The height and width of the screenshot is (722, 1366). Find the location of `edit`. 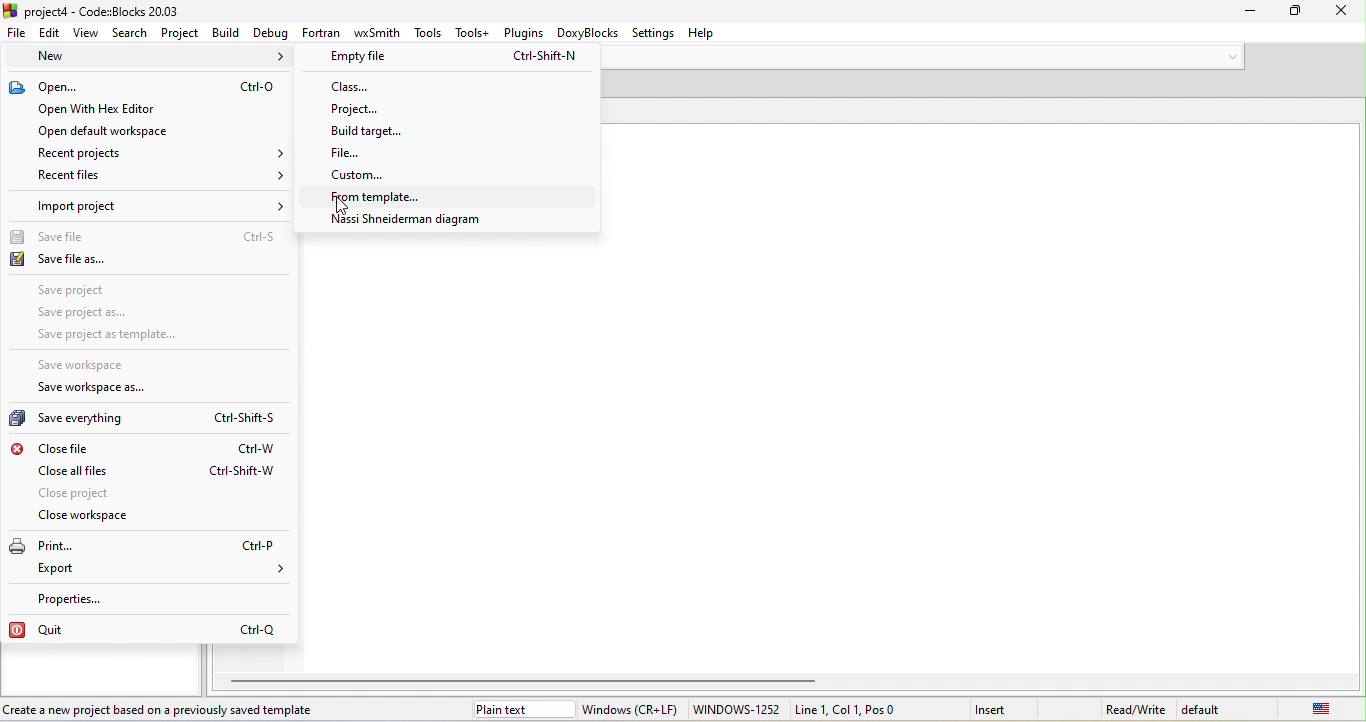

edit is located at coordinates (51, 34).